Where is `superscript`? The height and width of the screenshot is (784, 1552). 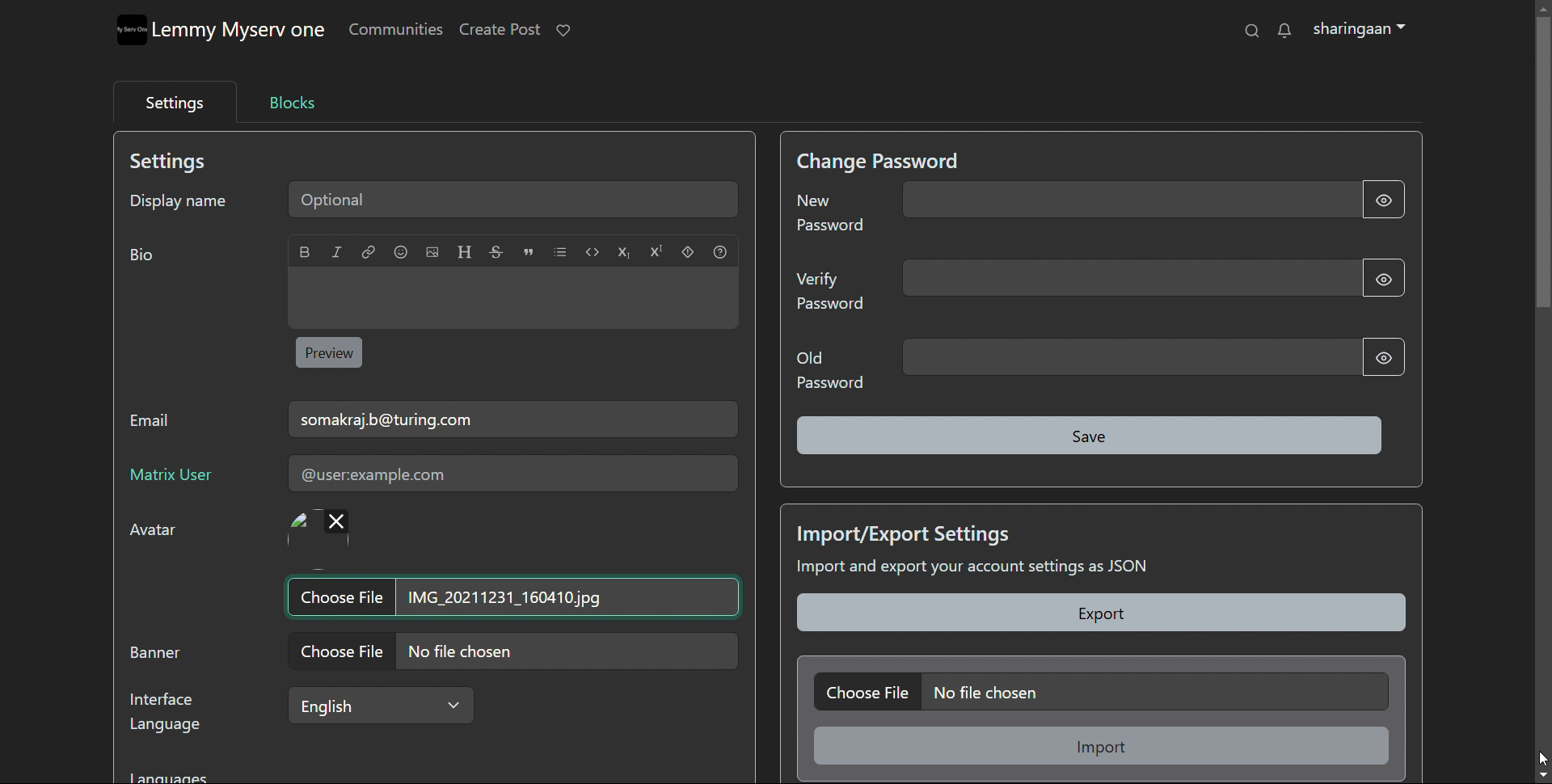 superscript is located at coordinates (656, 250).